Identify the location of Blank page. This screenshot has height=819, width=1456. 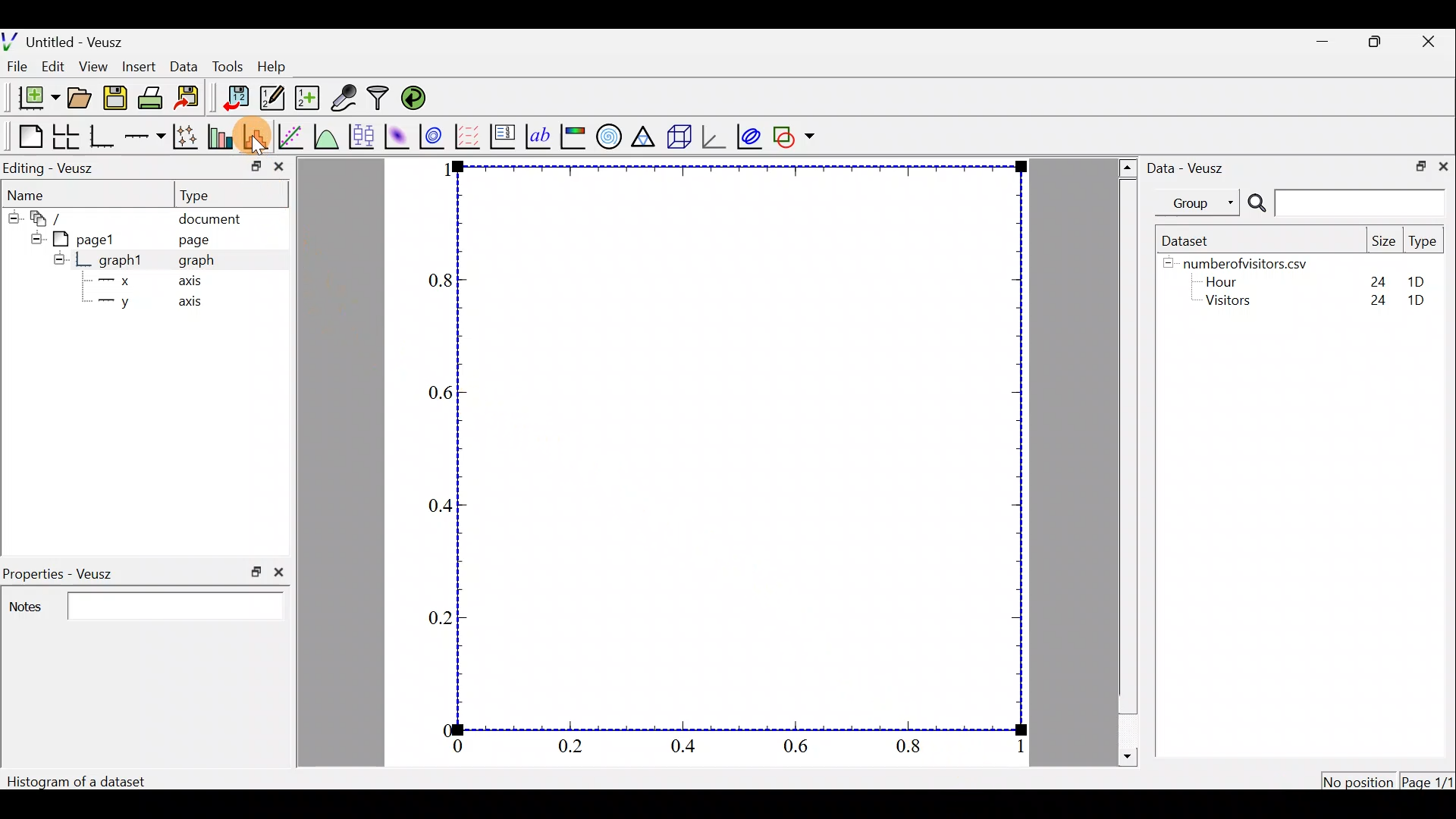
(26, 135).